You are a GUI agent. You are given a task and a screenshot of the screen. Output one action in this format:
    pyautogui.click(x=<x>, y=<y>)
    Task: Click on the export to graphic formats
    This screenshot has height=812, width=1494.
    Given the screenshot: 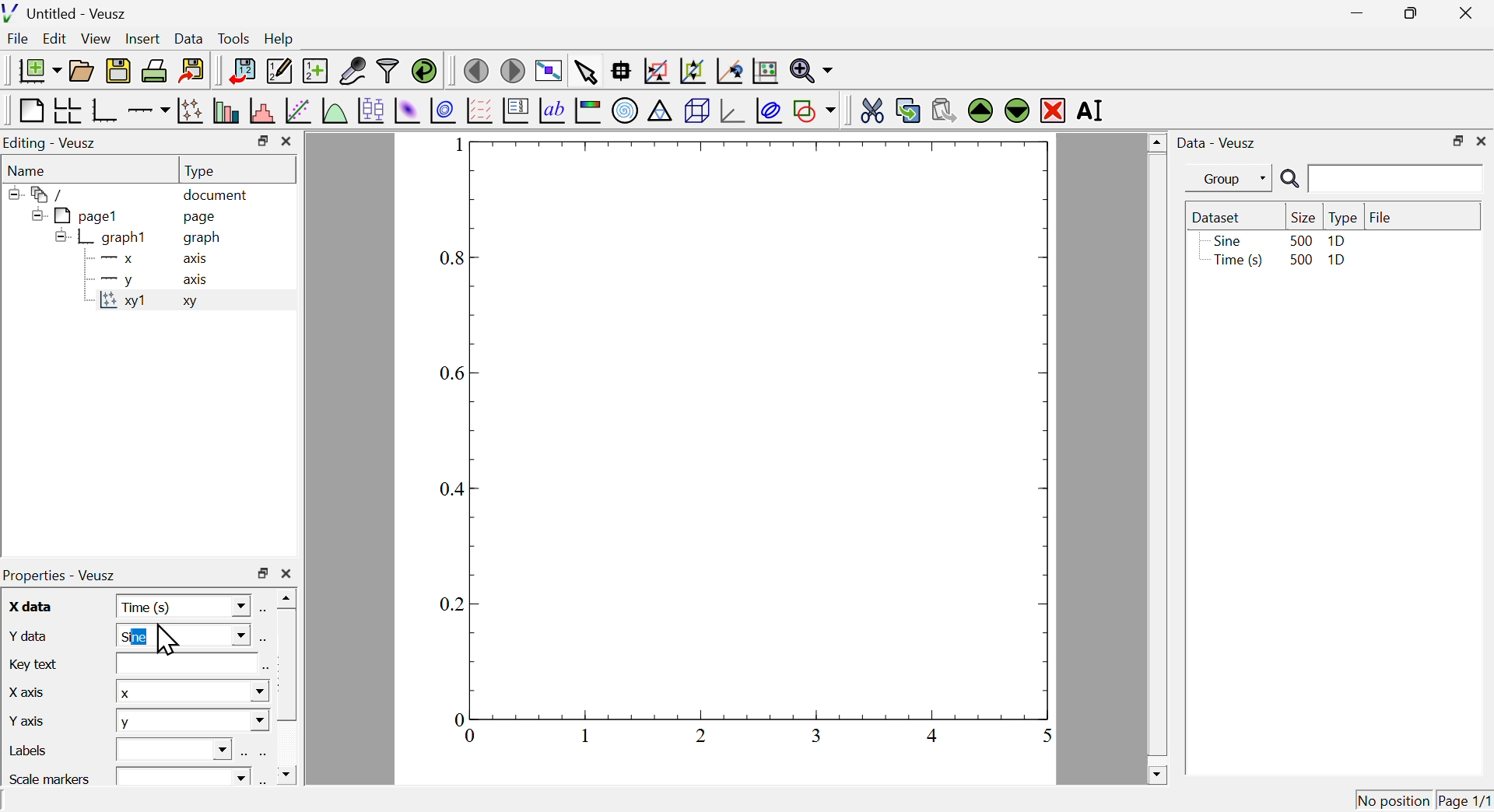 What is the action you would take?
    pyautogui.click(x=192, y=72)
    